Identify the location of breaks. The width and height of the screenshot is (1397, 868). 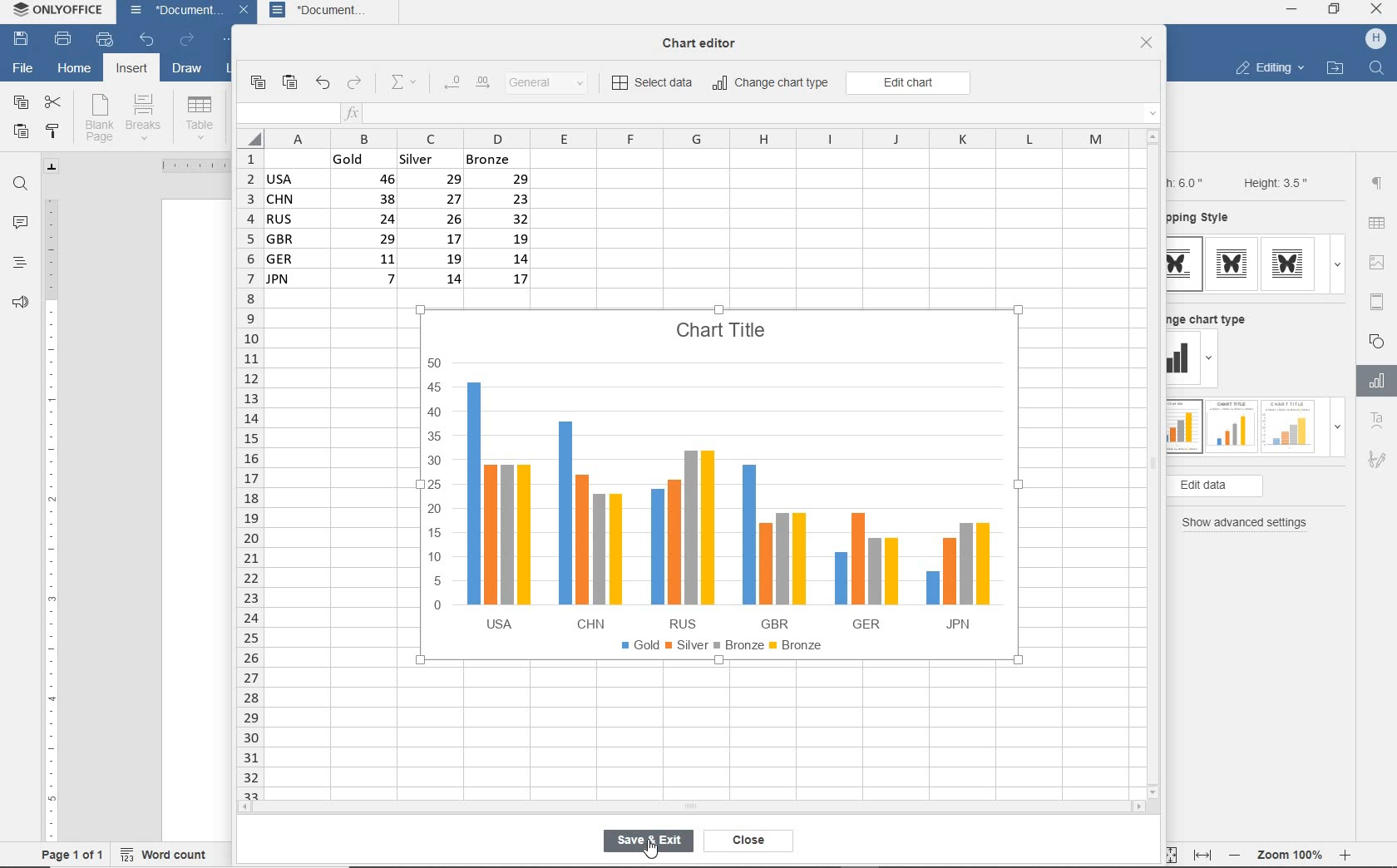
(146, 117).